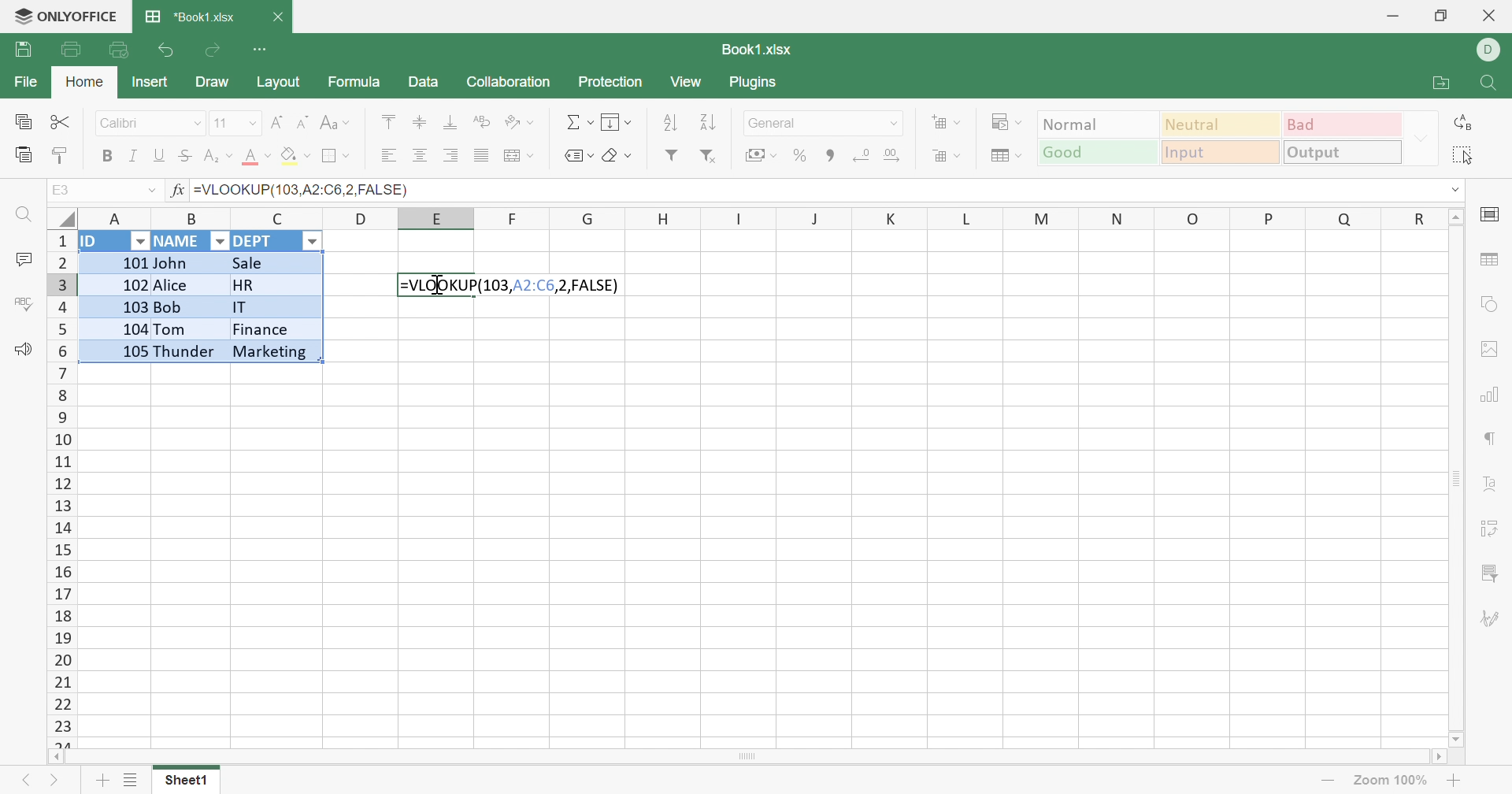  Describe the element at coordinates (1485, 395) in the screenshot. I see `Chart settings` at that location.